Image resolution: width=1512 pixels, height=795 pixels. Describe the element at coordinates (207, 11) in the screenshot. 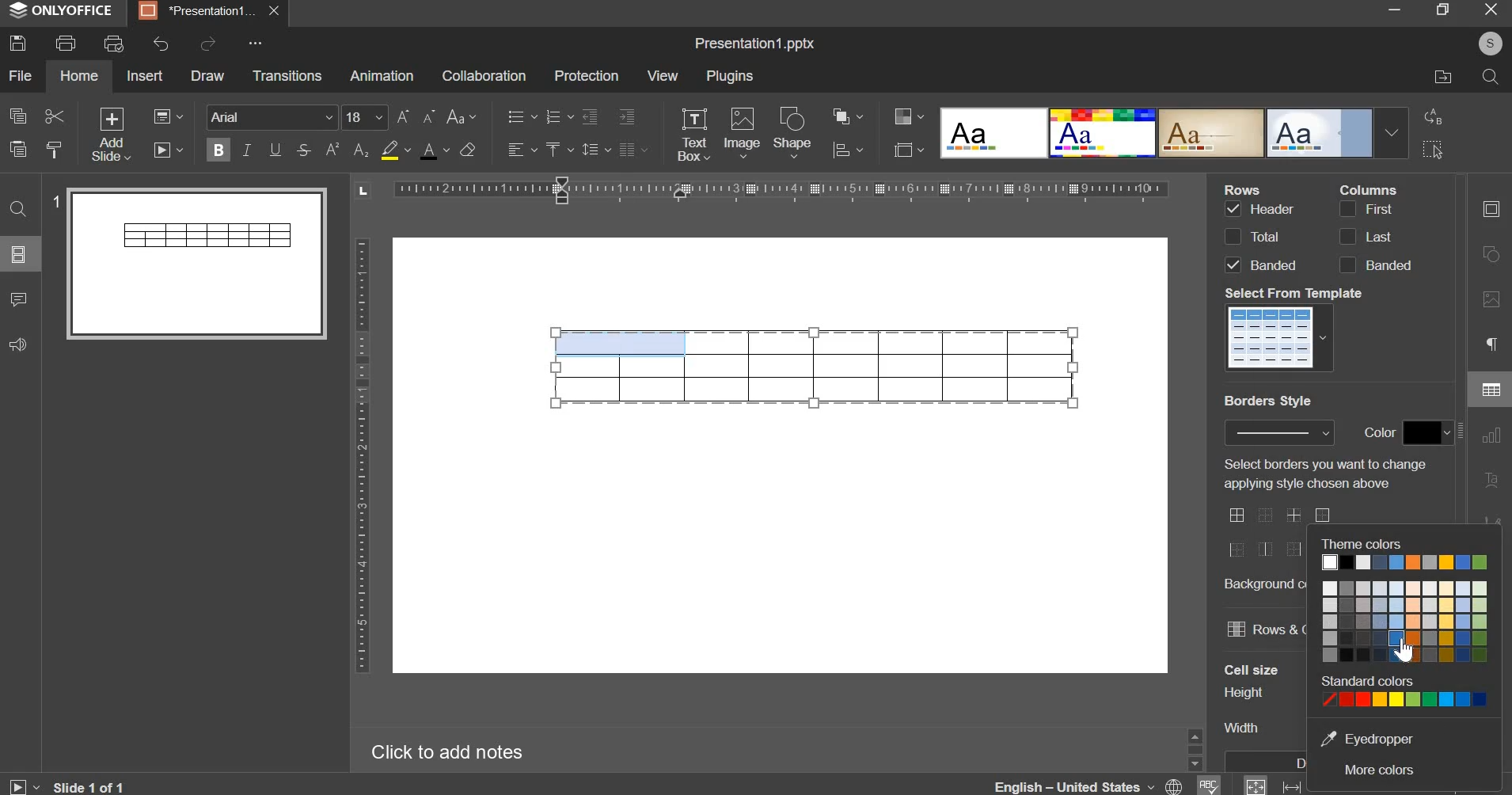

I see `Presentation tab` at that location.